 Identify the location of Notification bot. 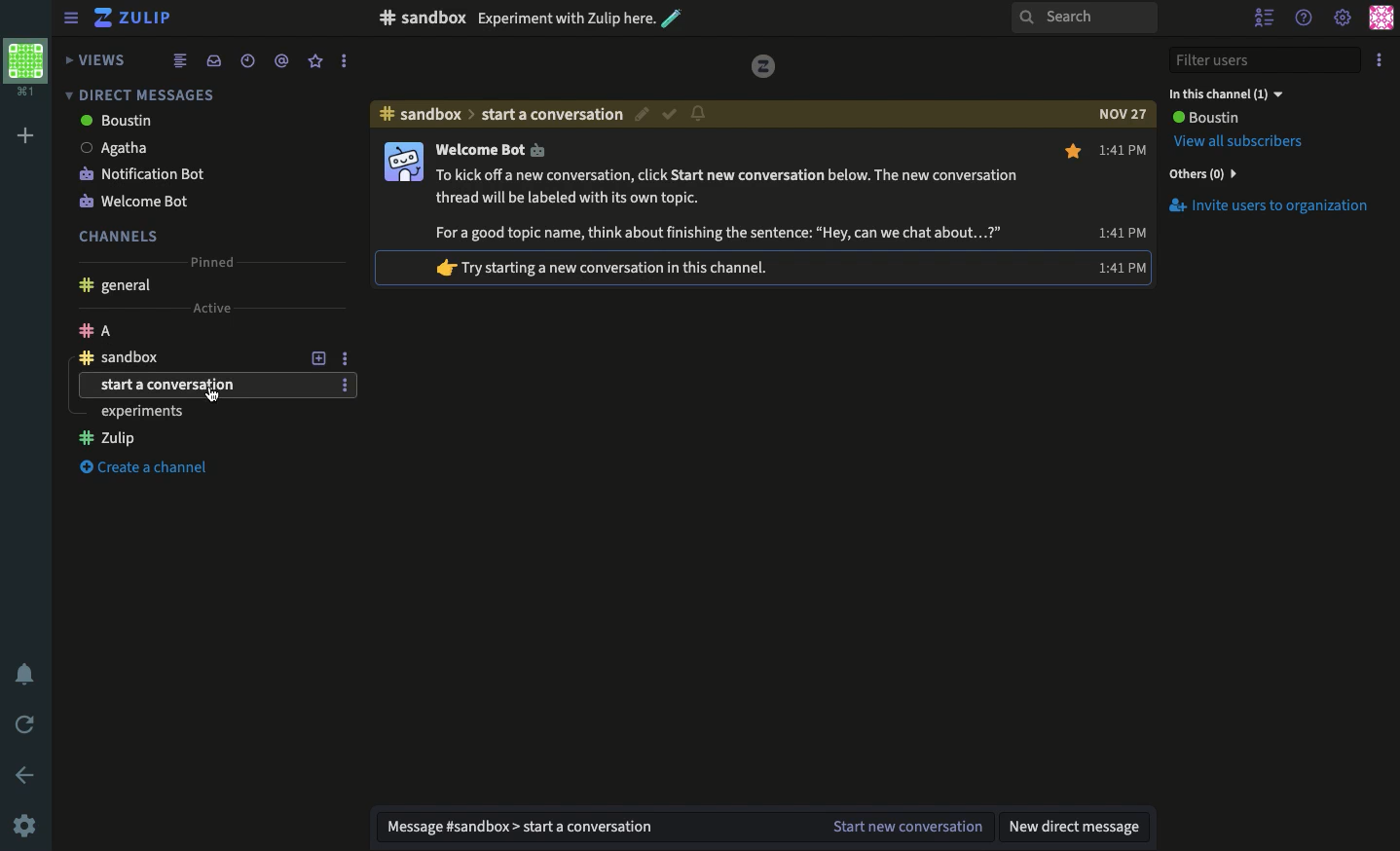
(187, 172).